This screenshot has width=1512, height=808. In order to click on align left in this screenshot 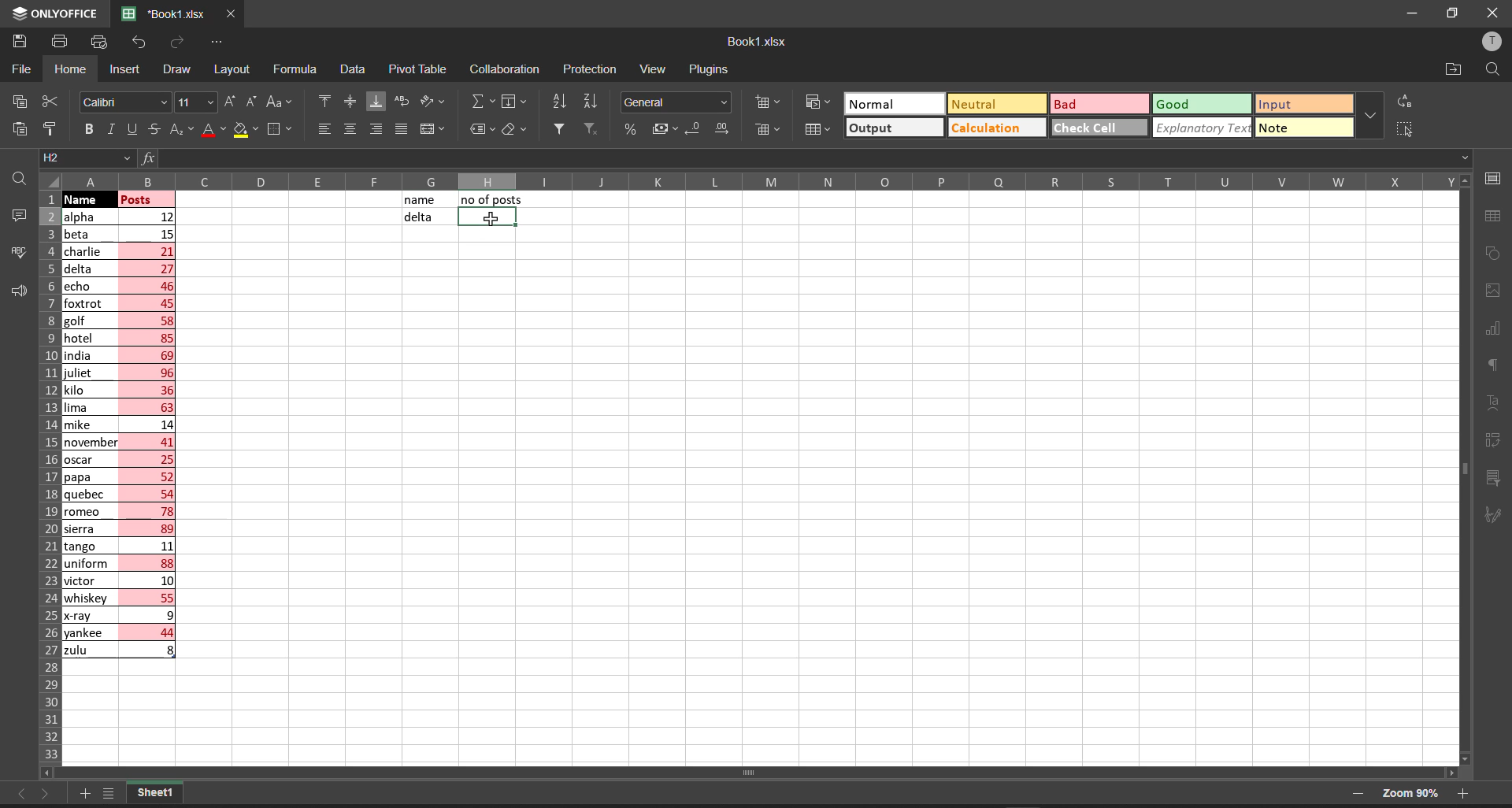, I will do `click(323, 130)`.